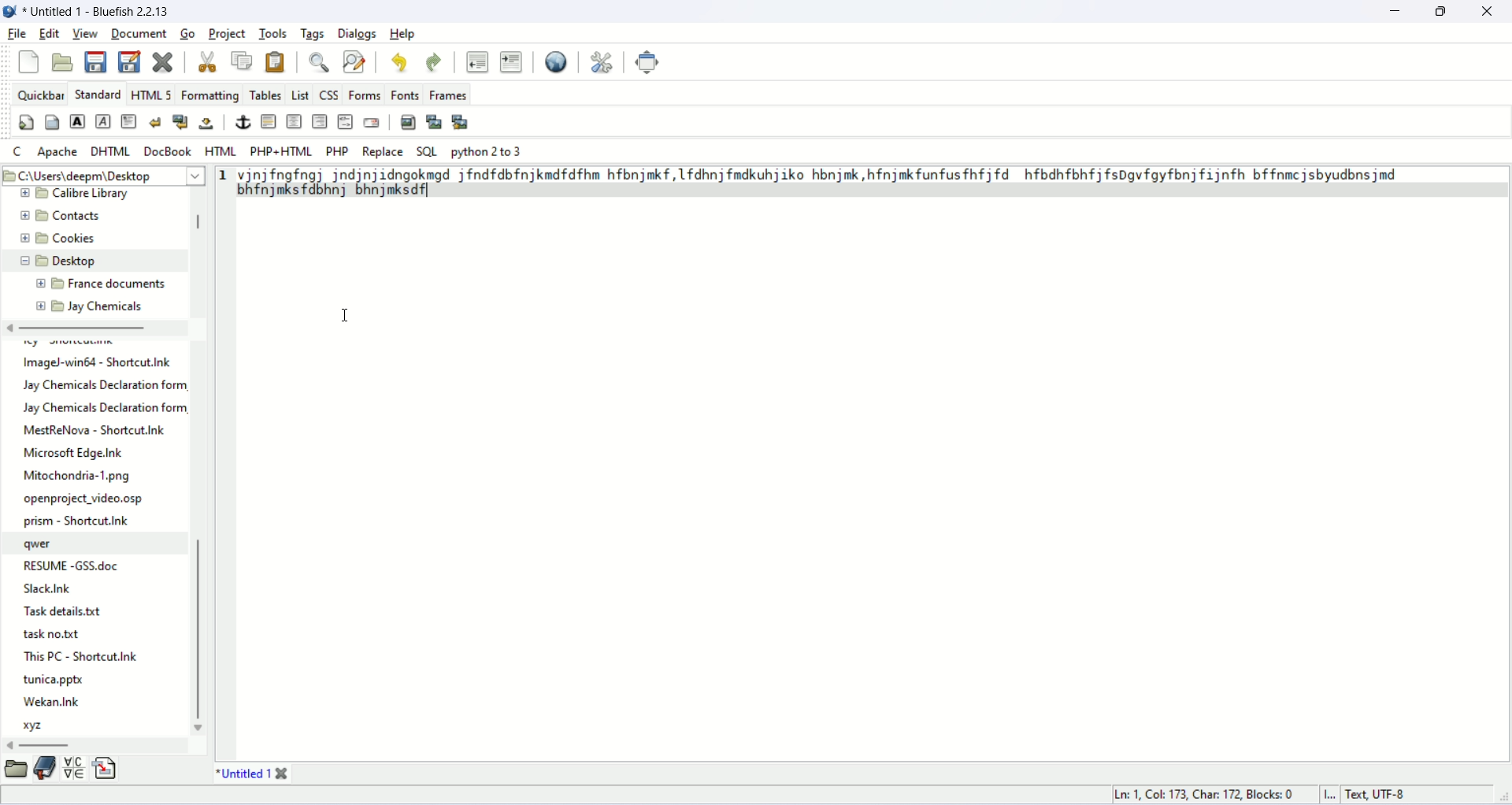 The image size is (1512, 805). Describe the element at coordinates (405, 95) in the screenshot. I see `fonts` at that location.